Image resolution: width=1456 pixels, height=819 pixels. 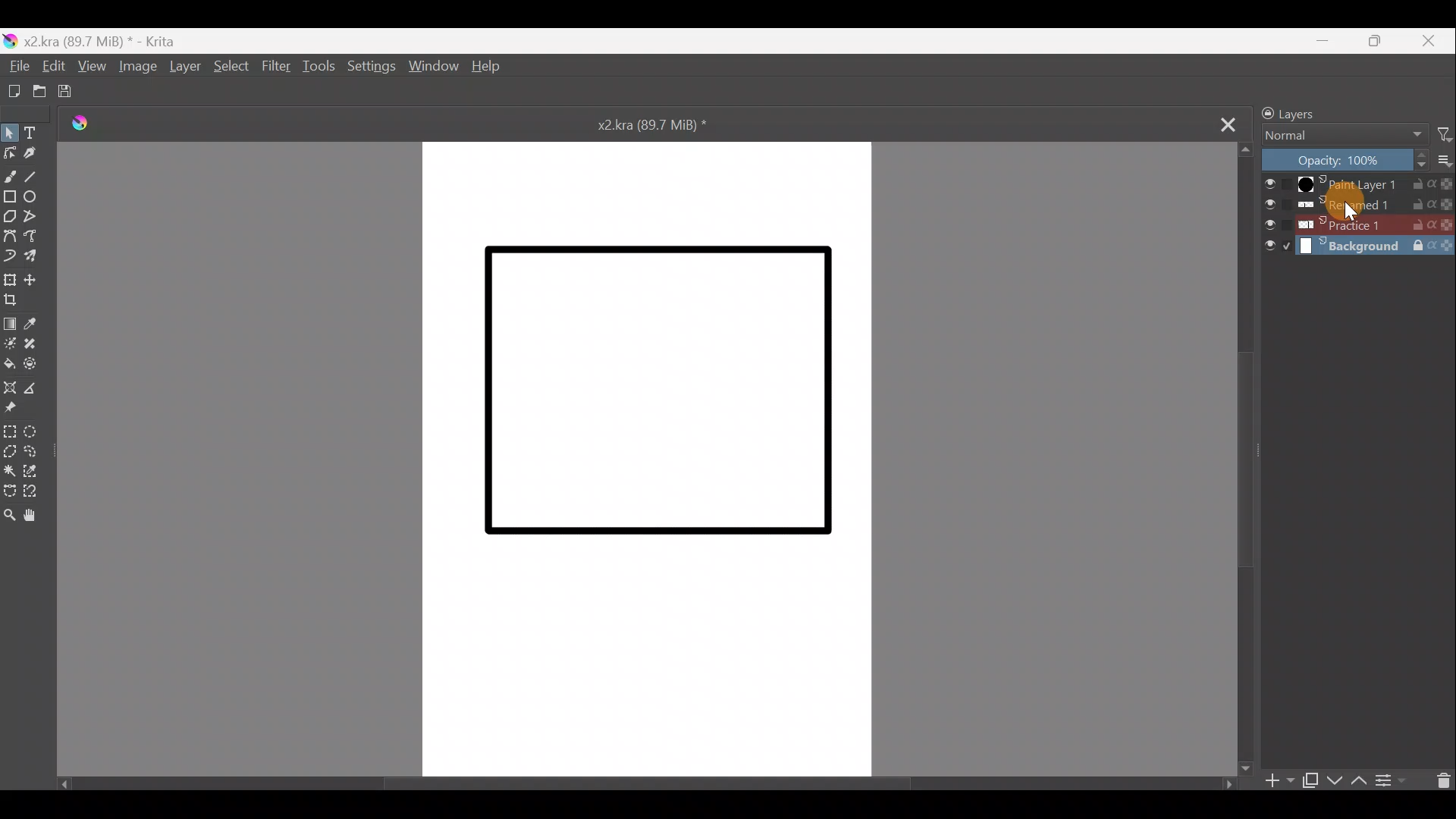 I want to click on Settings, so click(x=369, y=69).